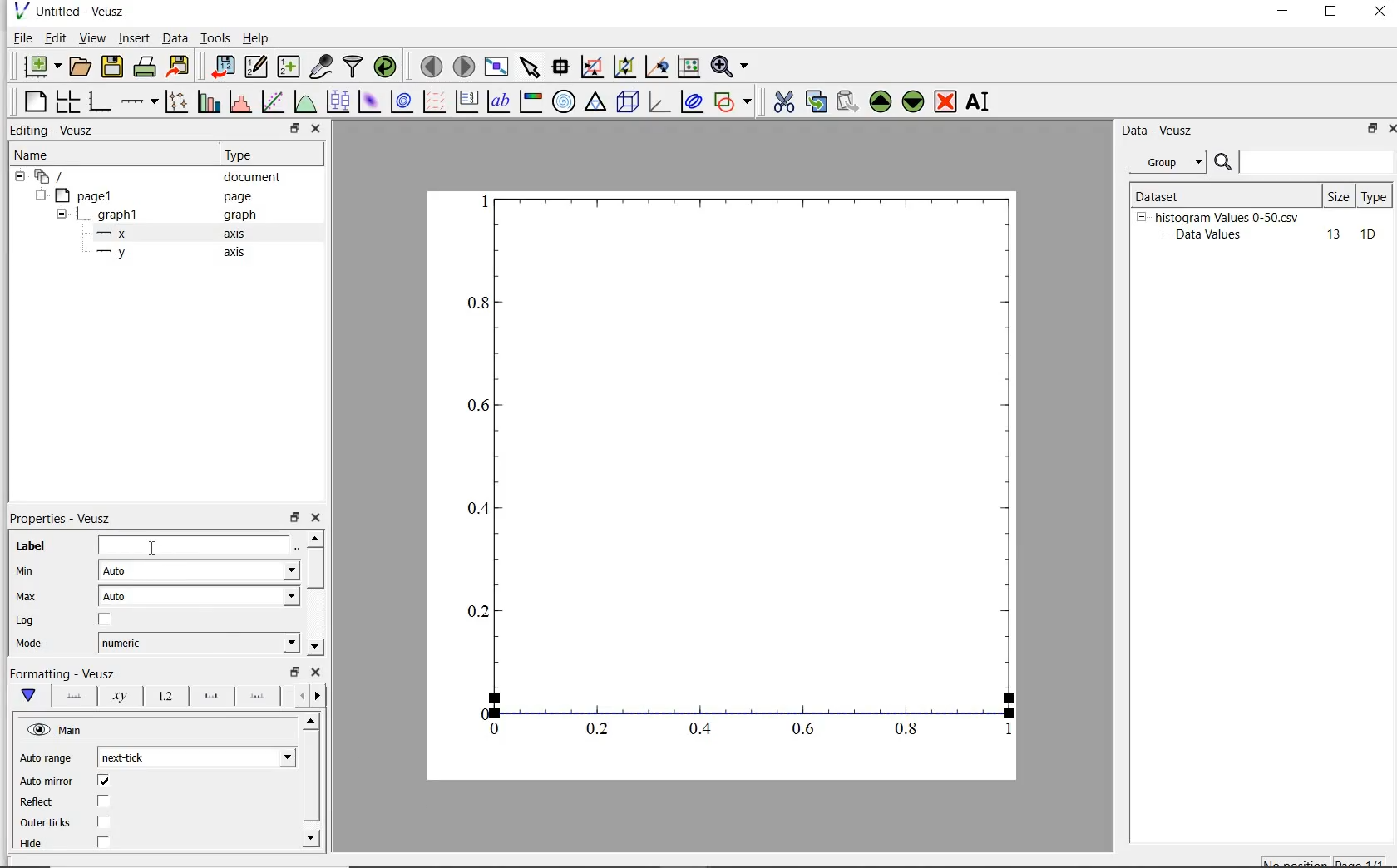 The image size is (1397, 868). I want to click on create new datasets using ranges, parametrically or as functions of existing datasets, so click(291, 65).